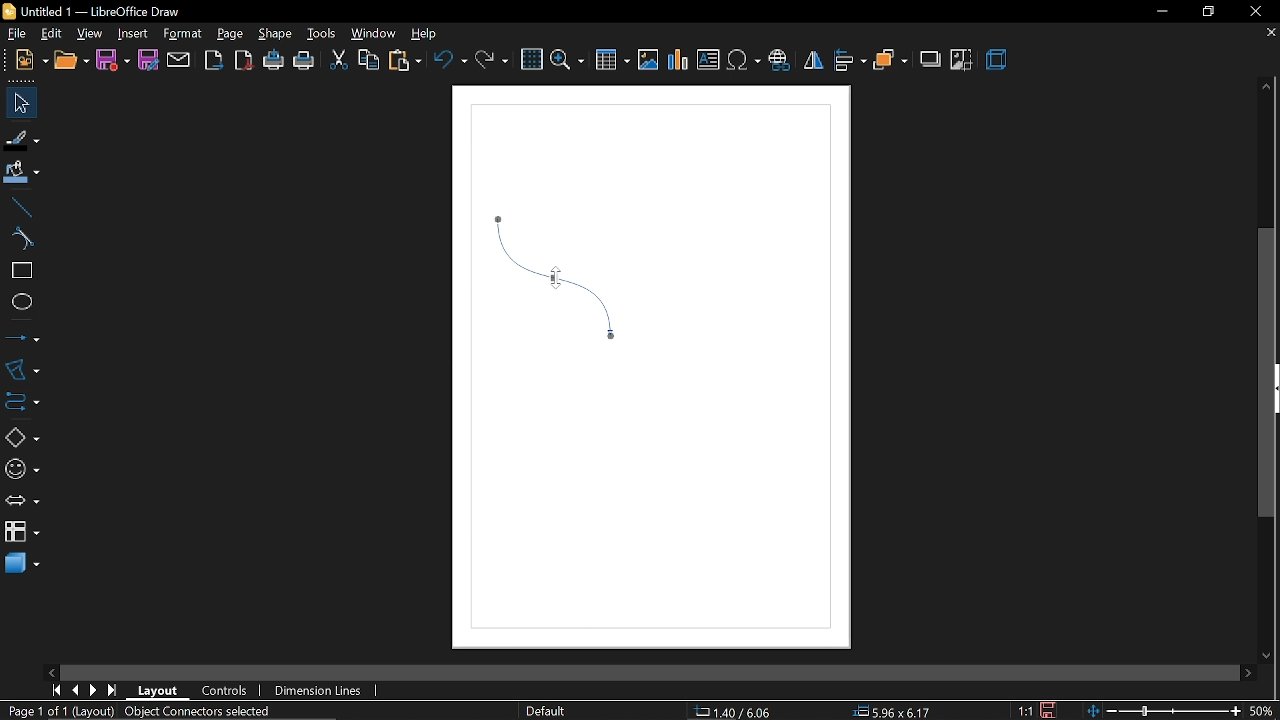 The image size is (1280, 720). Describe the element at coordinates (274, 62) in the screenshot. I see `print directly` at that location.